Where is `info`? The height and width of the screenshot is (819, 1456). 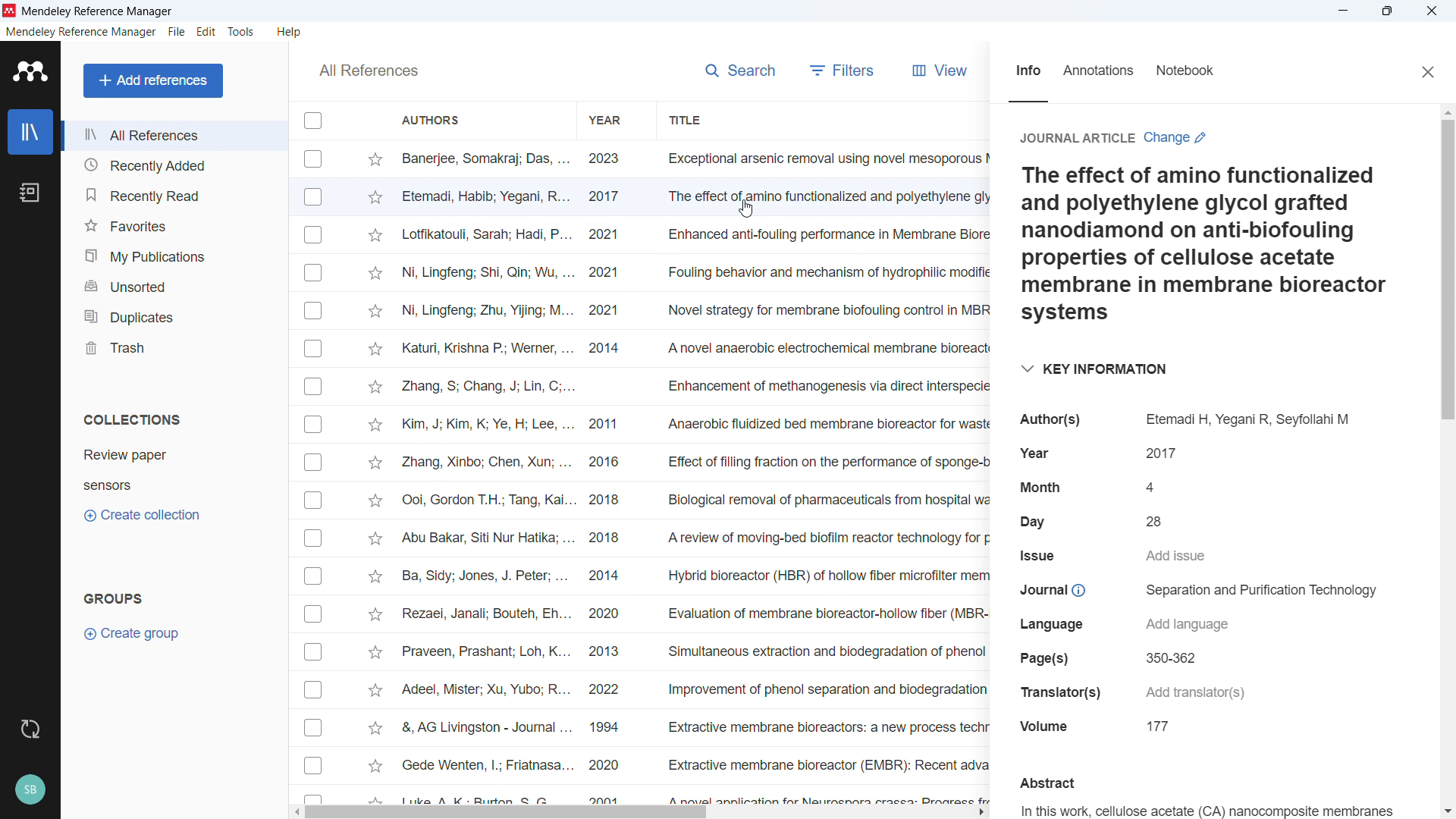 info is located at coordinates (1027, 71).